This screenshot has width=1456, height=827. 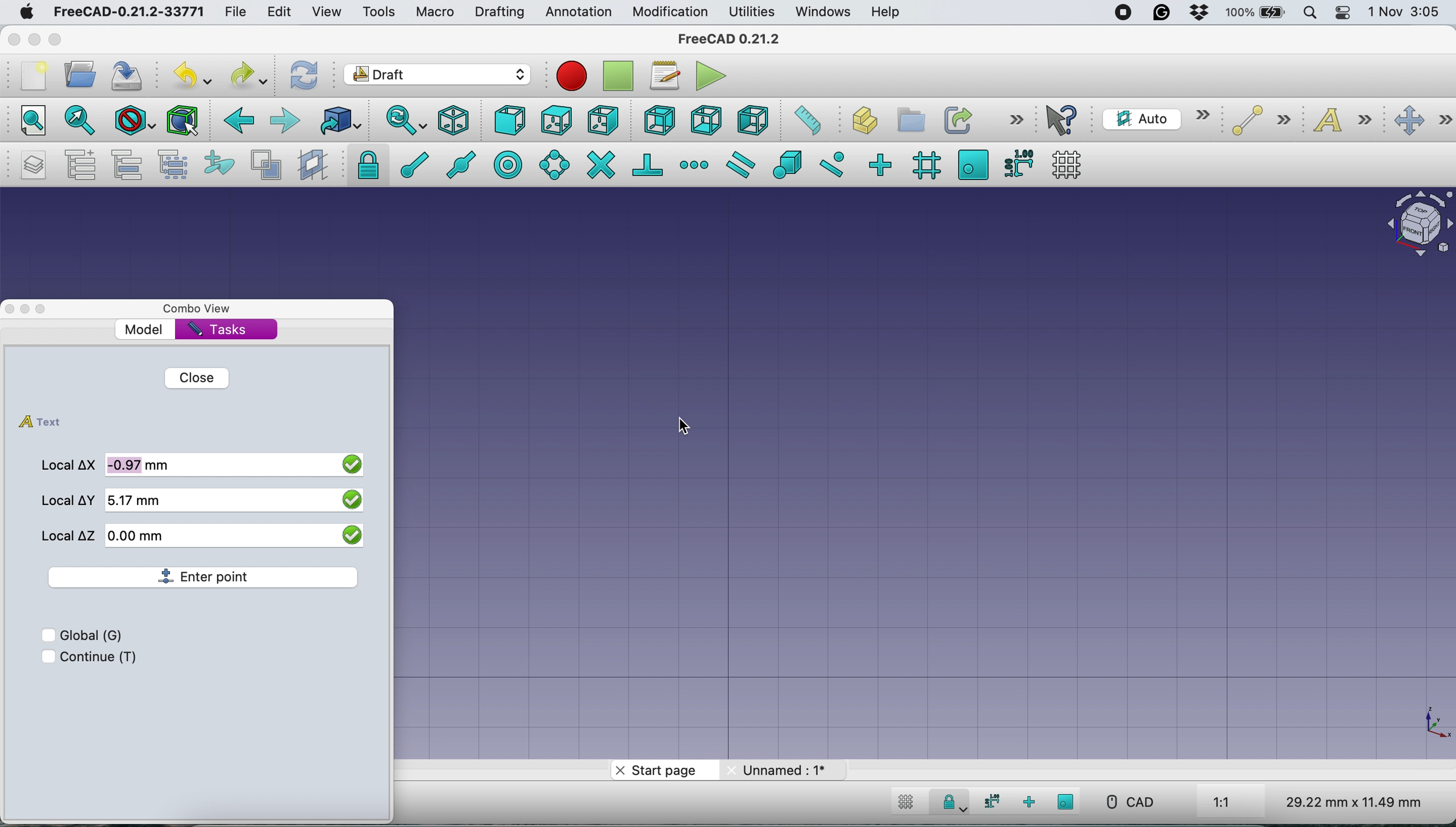 I want to click on snap near, so click(x=830, y=165).